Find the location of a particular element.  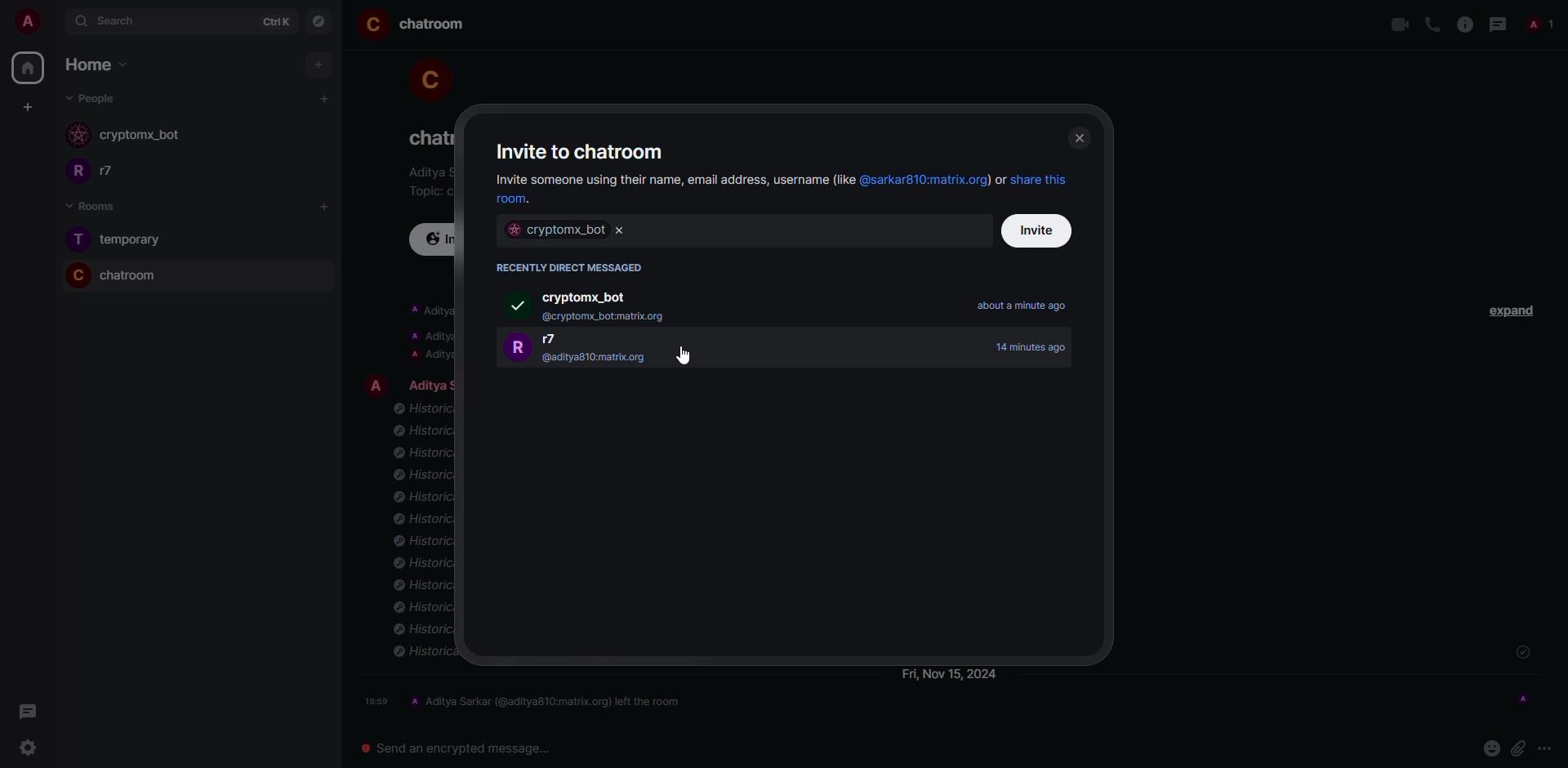

attach is located at coordinates (1518, 747).